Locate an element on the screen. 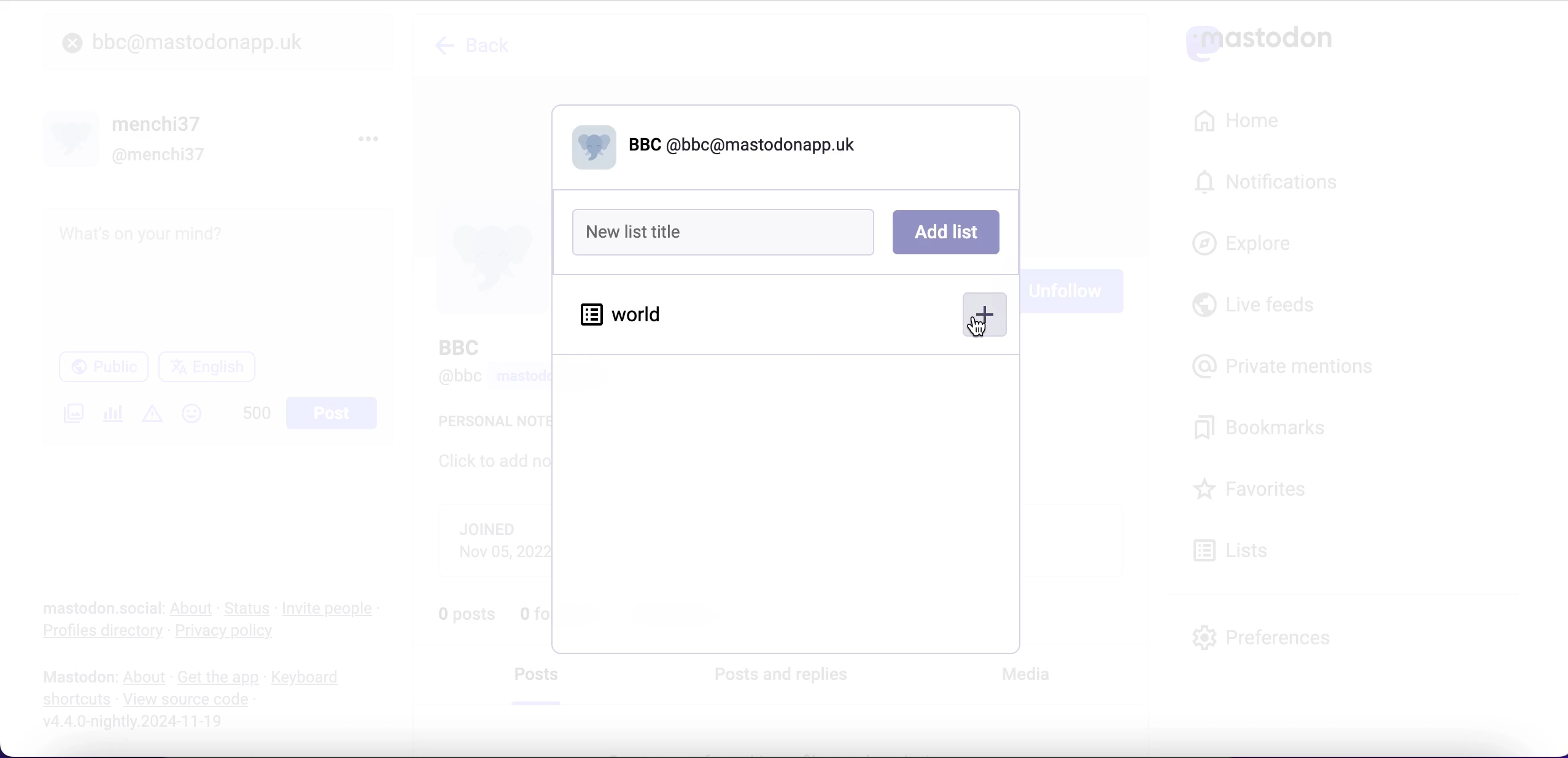 The width and height of the screenshot is (1568, 758). menu options is located at coordinates (373, 138).